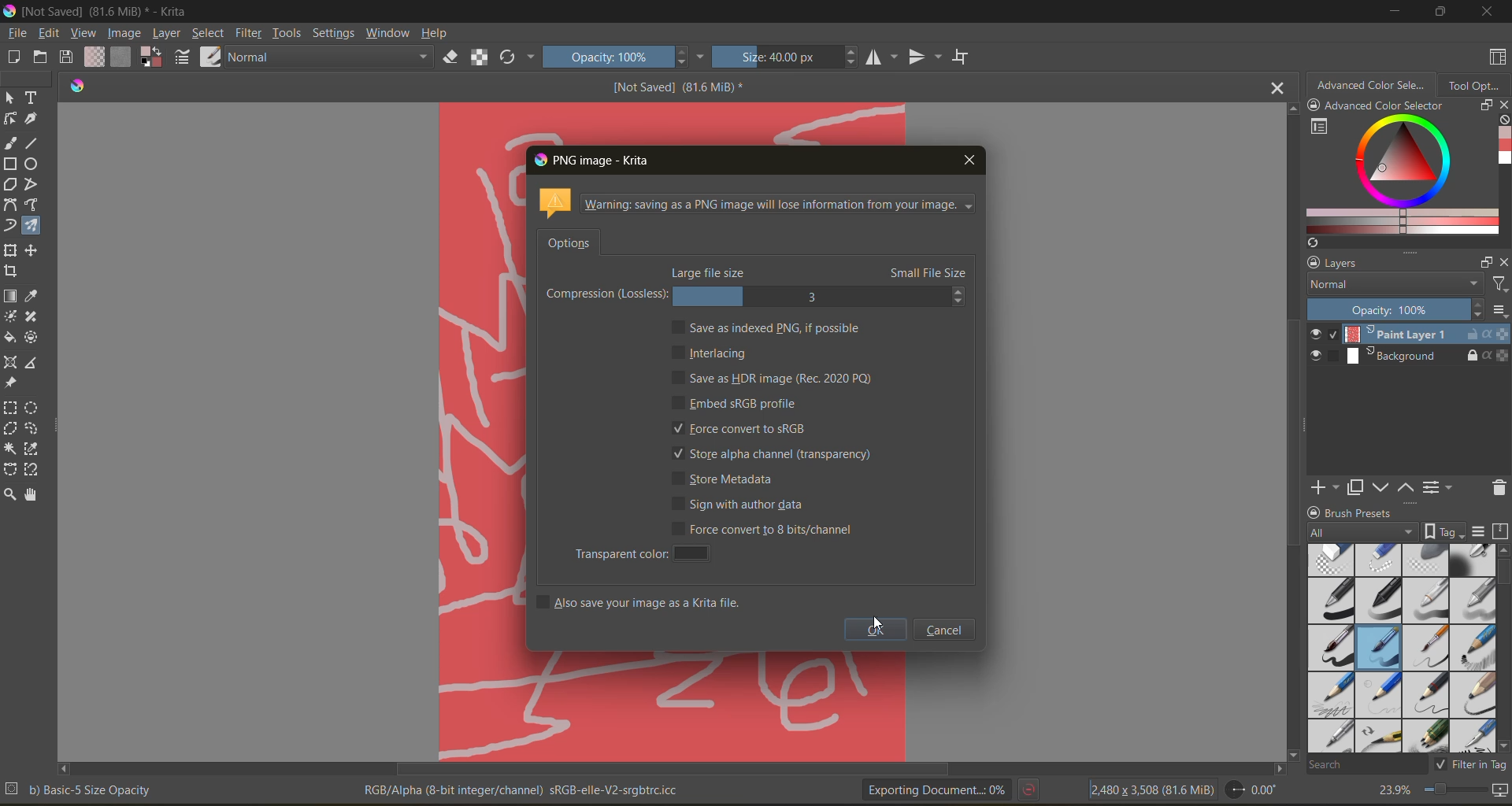 The height and width of the screenshot is (806, 1512). I want to click on embed srgb profile, so click(743, 401).